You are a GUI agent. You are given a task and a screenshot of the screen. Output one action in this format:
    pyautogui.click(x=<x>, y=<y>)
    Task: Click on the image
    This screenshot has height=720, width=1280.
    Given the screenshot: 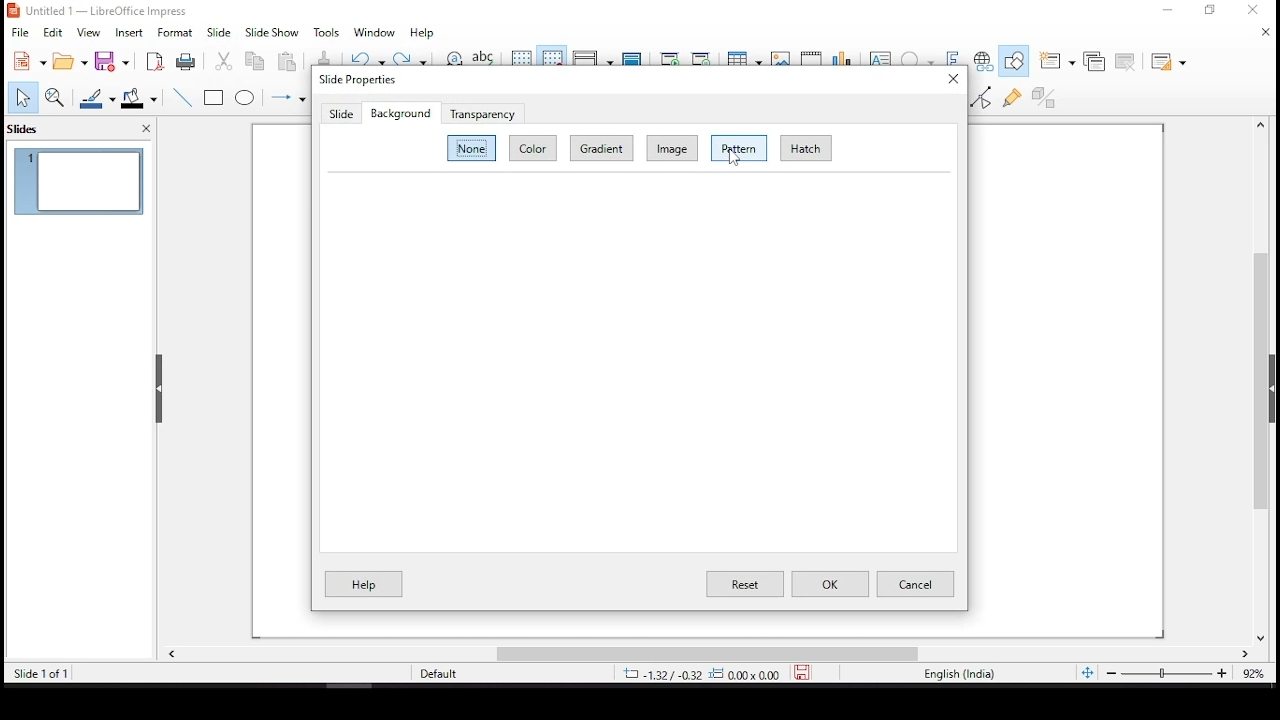 What is the action you would take?
    pyautogui.click(x=672, y=147)
    